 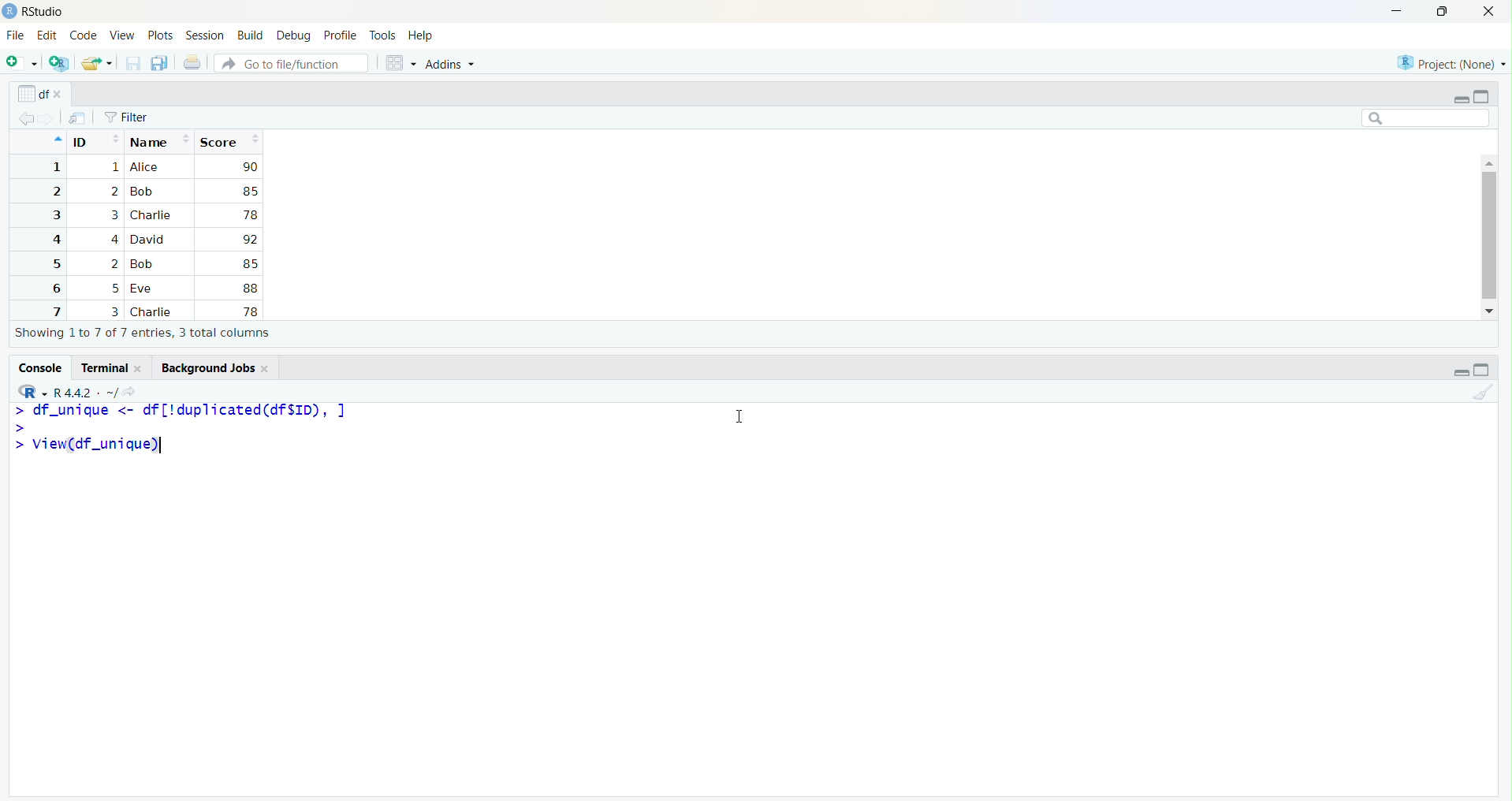 I want to click on RStudio menu, so click(x=32, y=392).